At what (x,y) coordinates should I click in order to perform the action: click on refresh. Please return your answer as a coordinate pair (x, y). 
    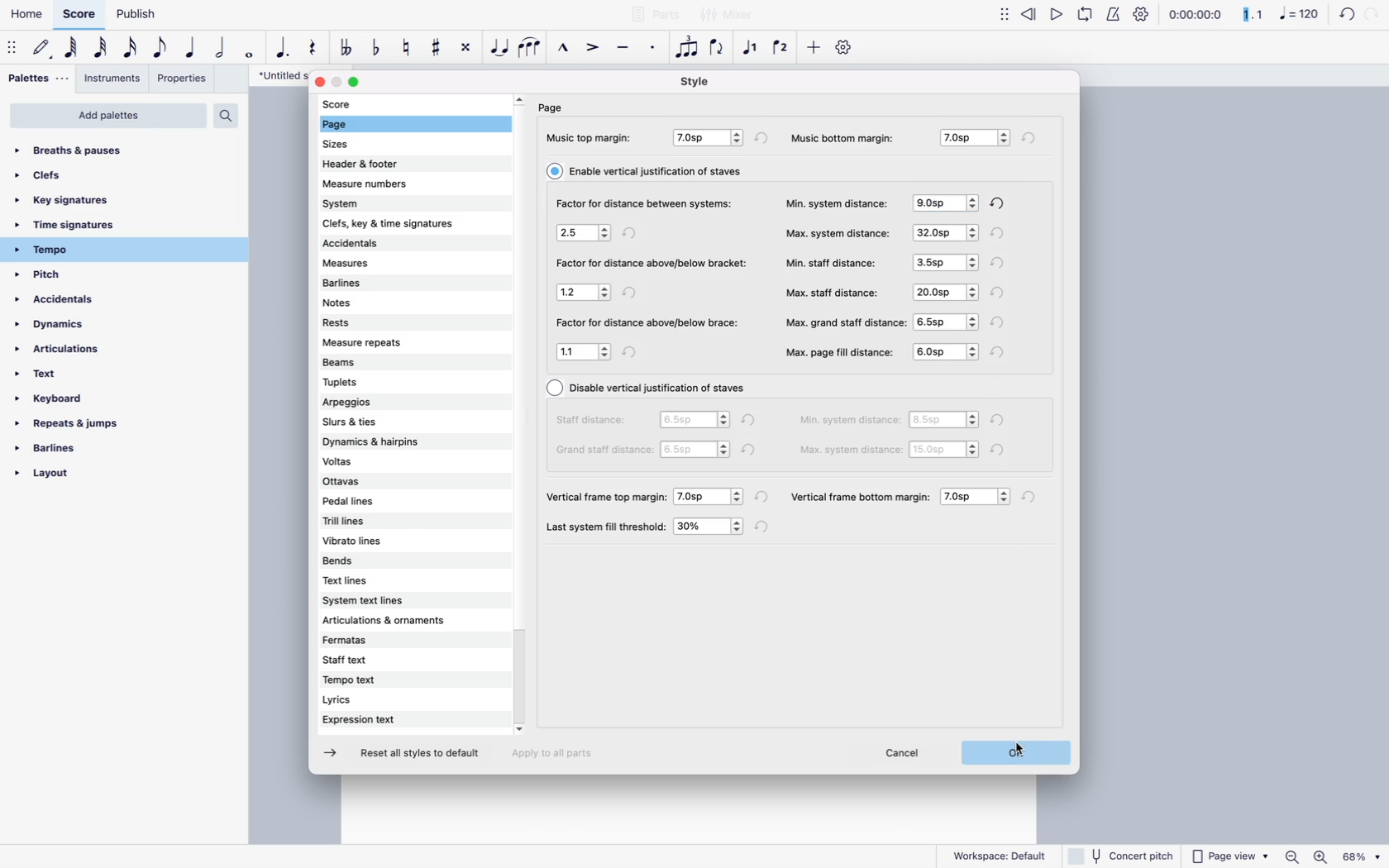
    Looking at the image, I should click on (1004, 450).